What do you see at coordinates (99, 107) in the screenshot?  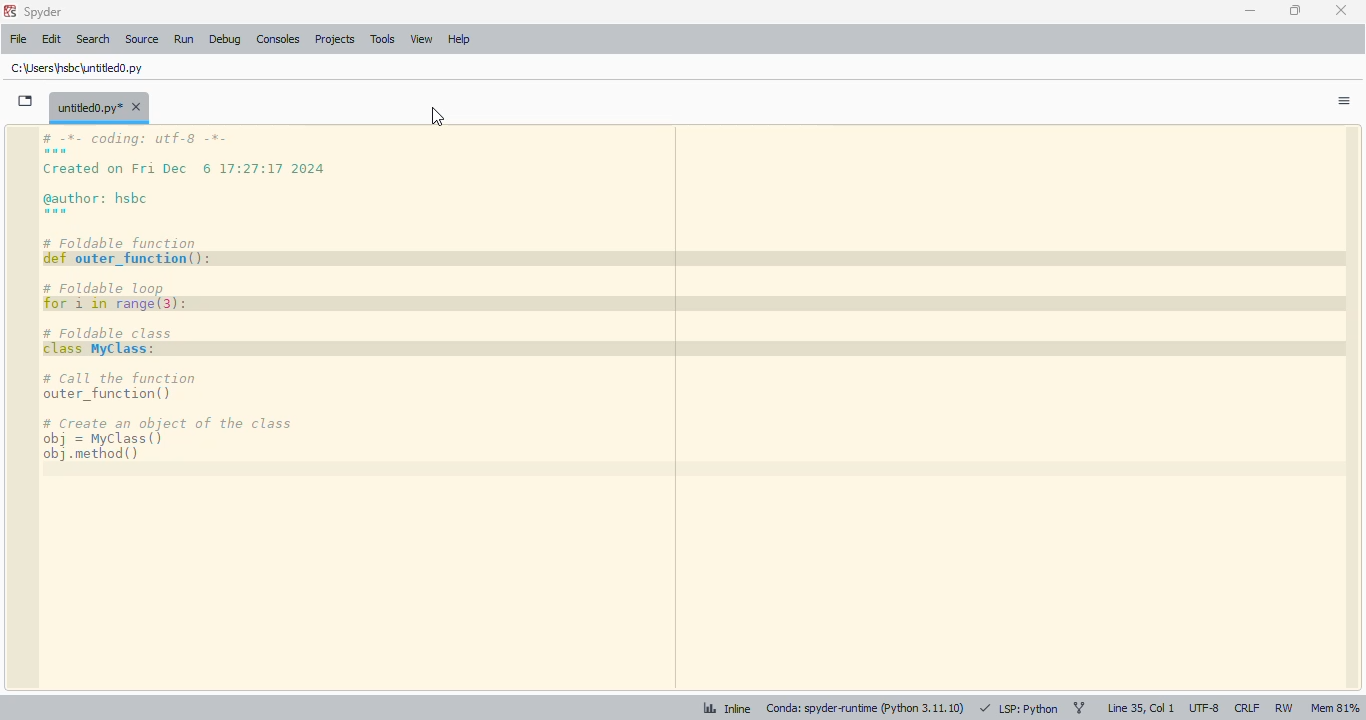 I see `untitled0.py` at bounding box center [99, 107].